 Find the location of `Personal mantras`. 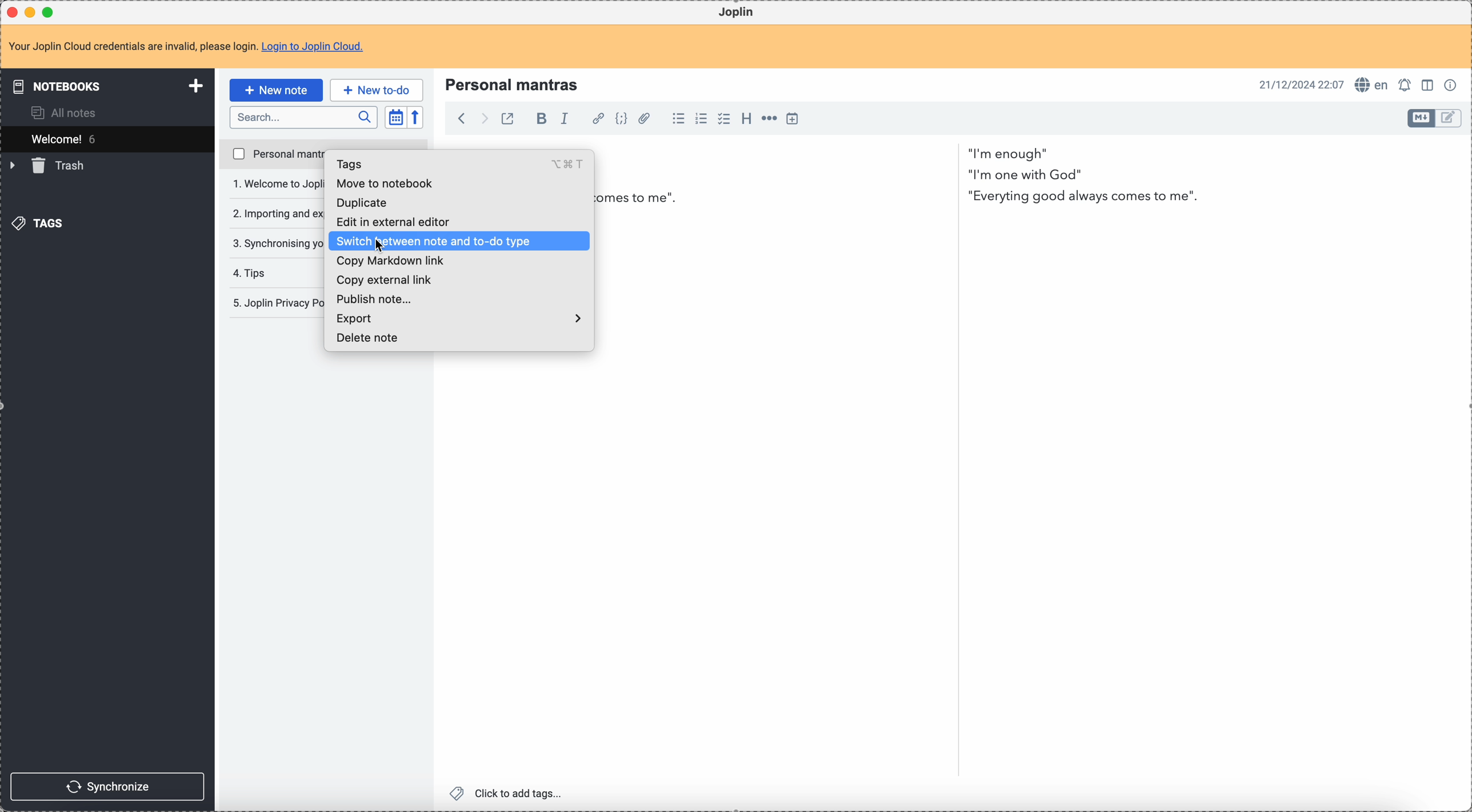

Personal mantras is located at coordinates (512, 85).